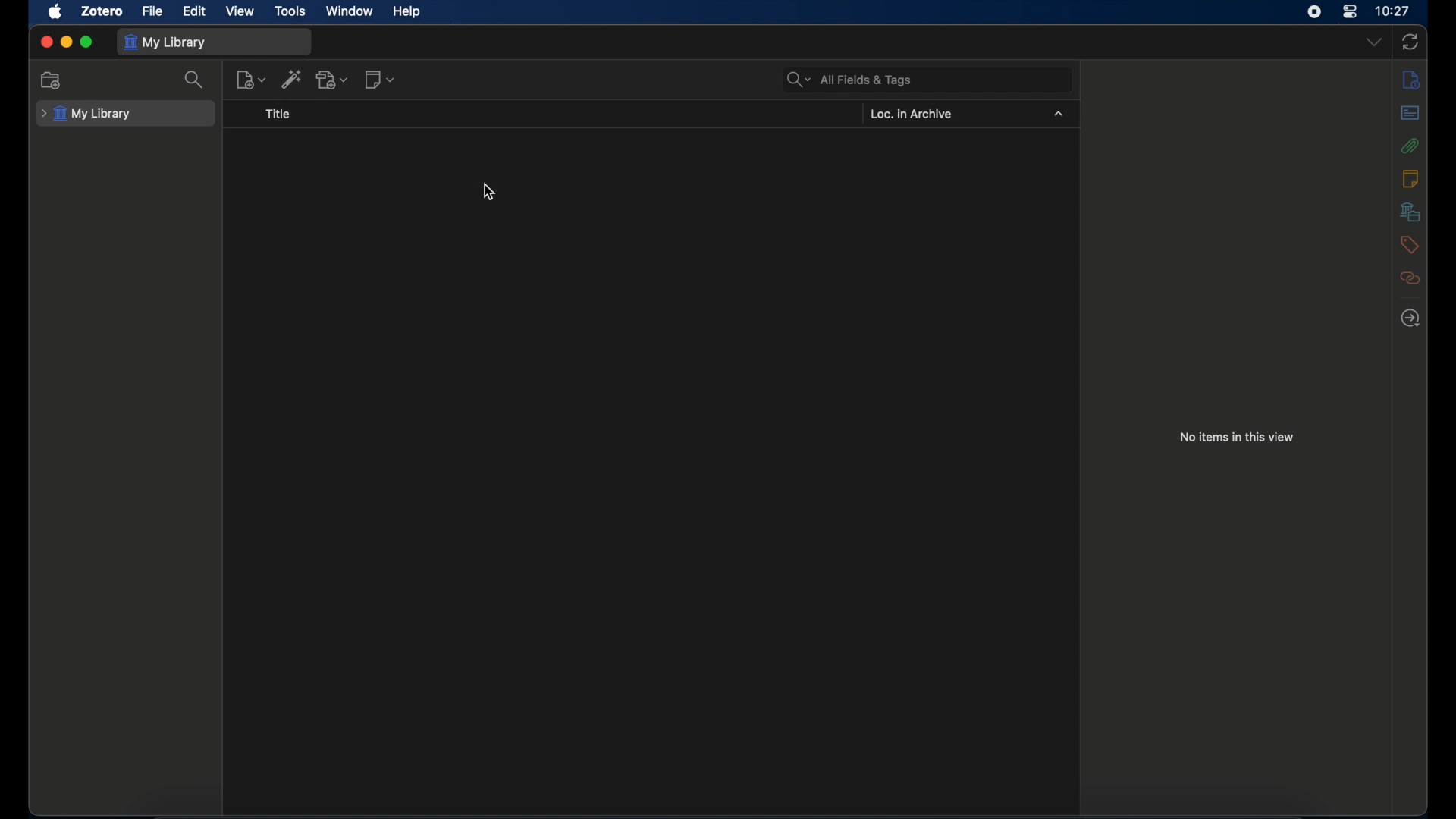 The width and height of the screenshot is (1456, 819). Describe the element at coordinates (65, 42) in the screenshot. I see `minimize` at that location.